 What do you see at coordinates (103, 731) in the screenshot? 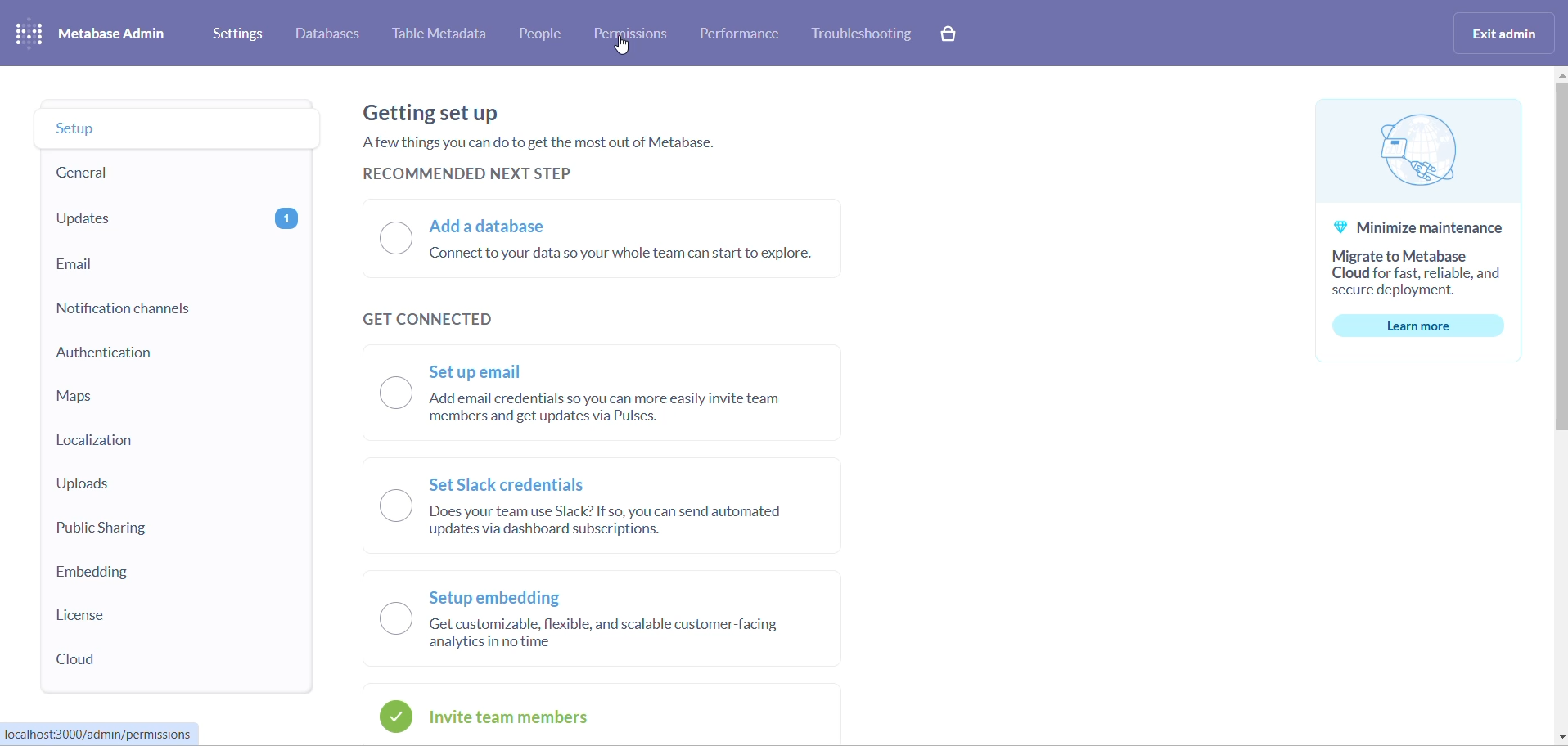
I see `URL` at bounding box center [103, 731].